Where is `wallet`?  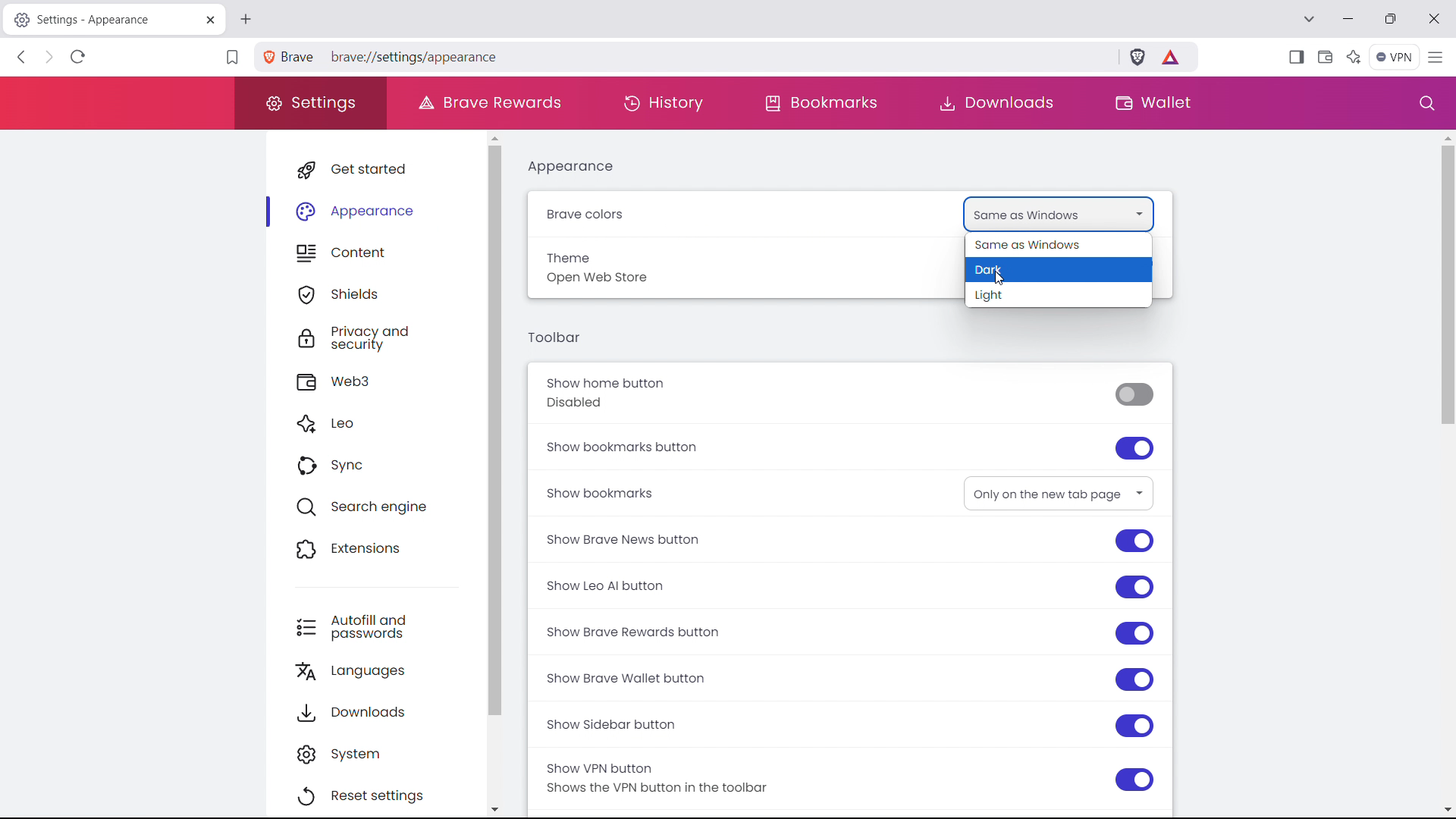 wallet is located at coordinates (1326, 56).